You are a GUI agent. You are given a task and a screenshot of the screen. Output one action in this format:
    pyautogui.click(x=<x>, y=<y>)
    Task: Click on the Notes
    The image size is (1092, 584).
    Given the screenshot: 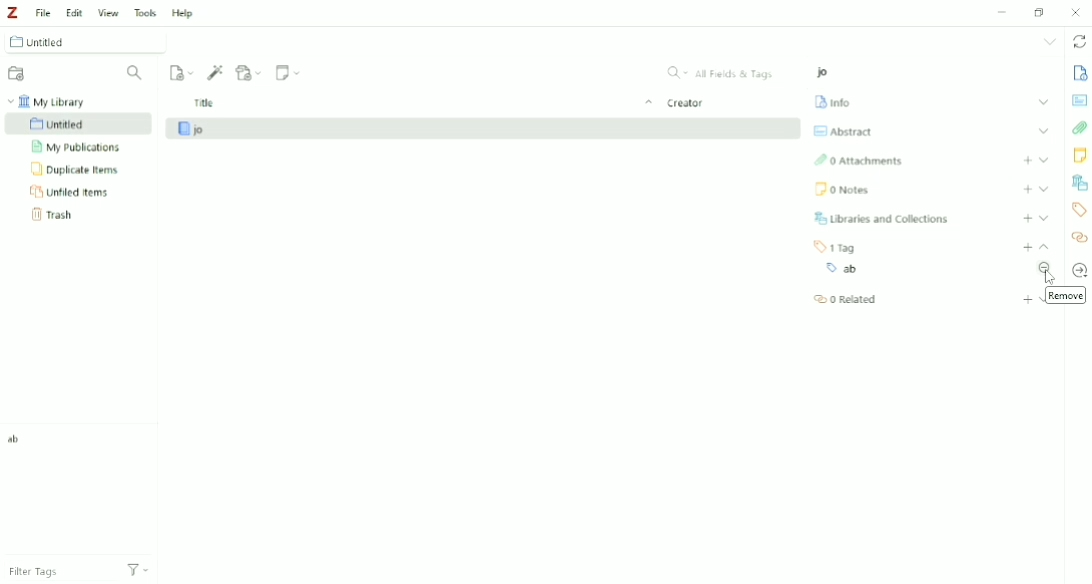 What is the action you would take?
    pyautogui.click(x=1078, y=155)
    